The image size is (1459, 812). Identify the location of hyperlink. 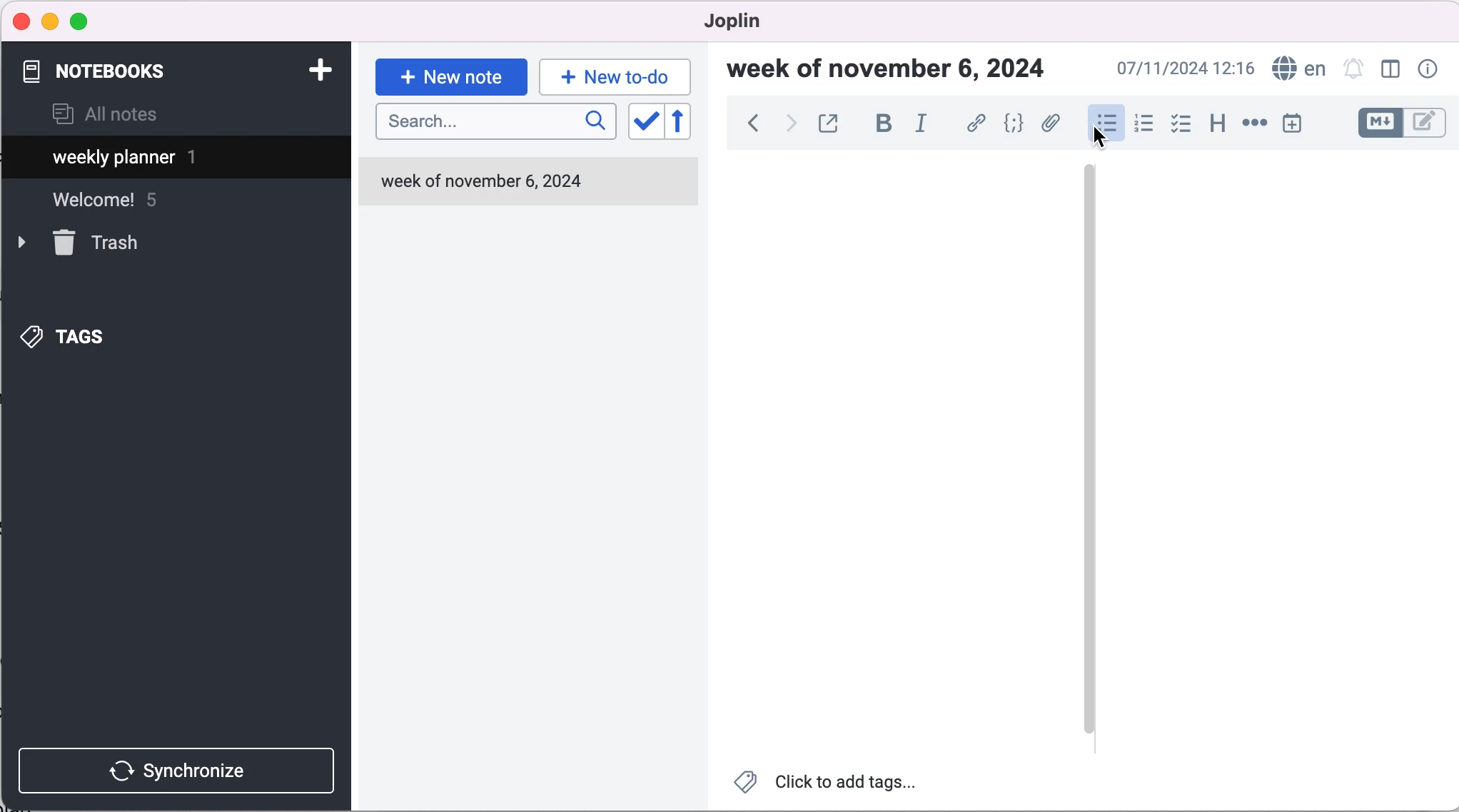
(977, 126).